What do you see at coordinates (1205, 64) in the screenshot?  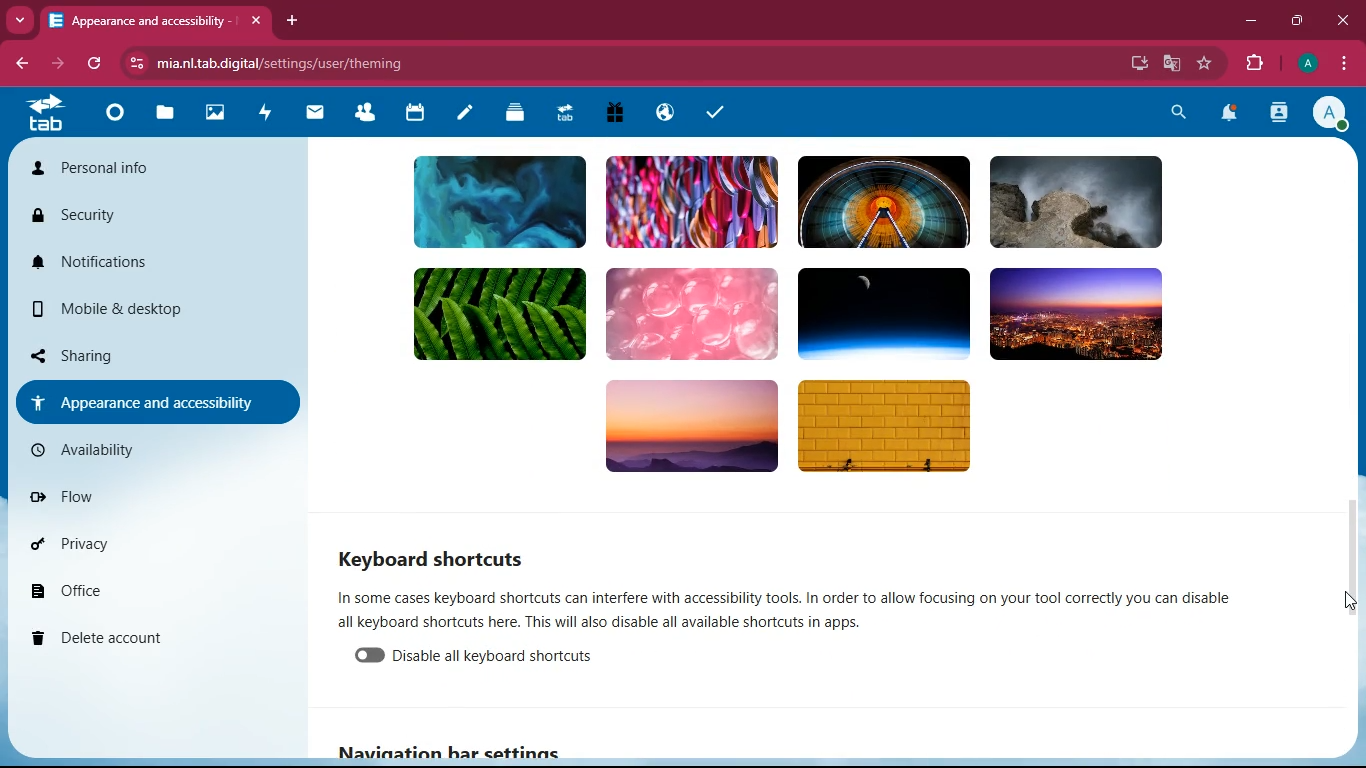 I see `favourite` at bounding box center [1205, 64].